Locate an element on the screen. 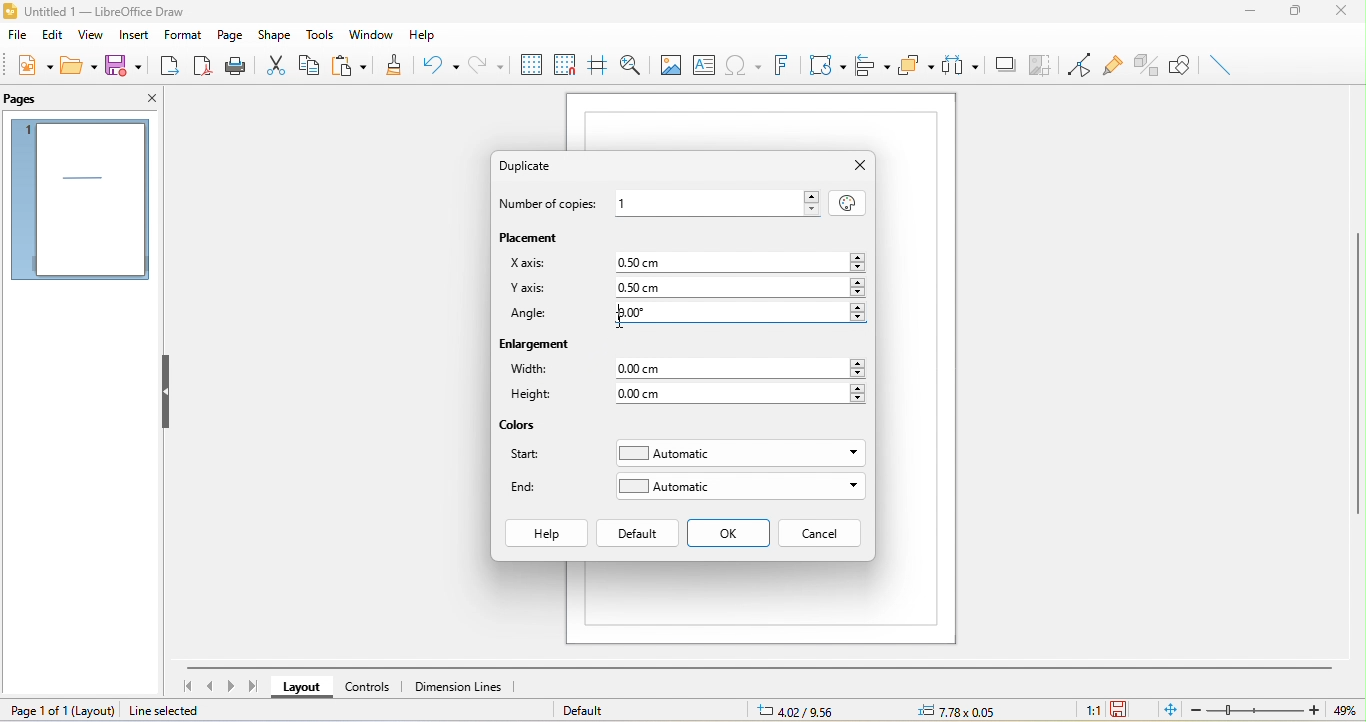 The width and height of the screenshot is (1366, 722). tools is located at coordinates (322, 35).